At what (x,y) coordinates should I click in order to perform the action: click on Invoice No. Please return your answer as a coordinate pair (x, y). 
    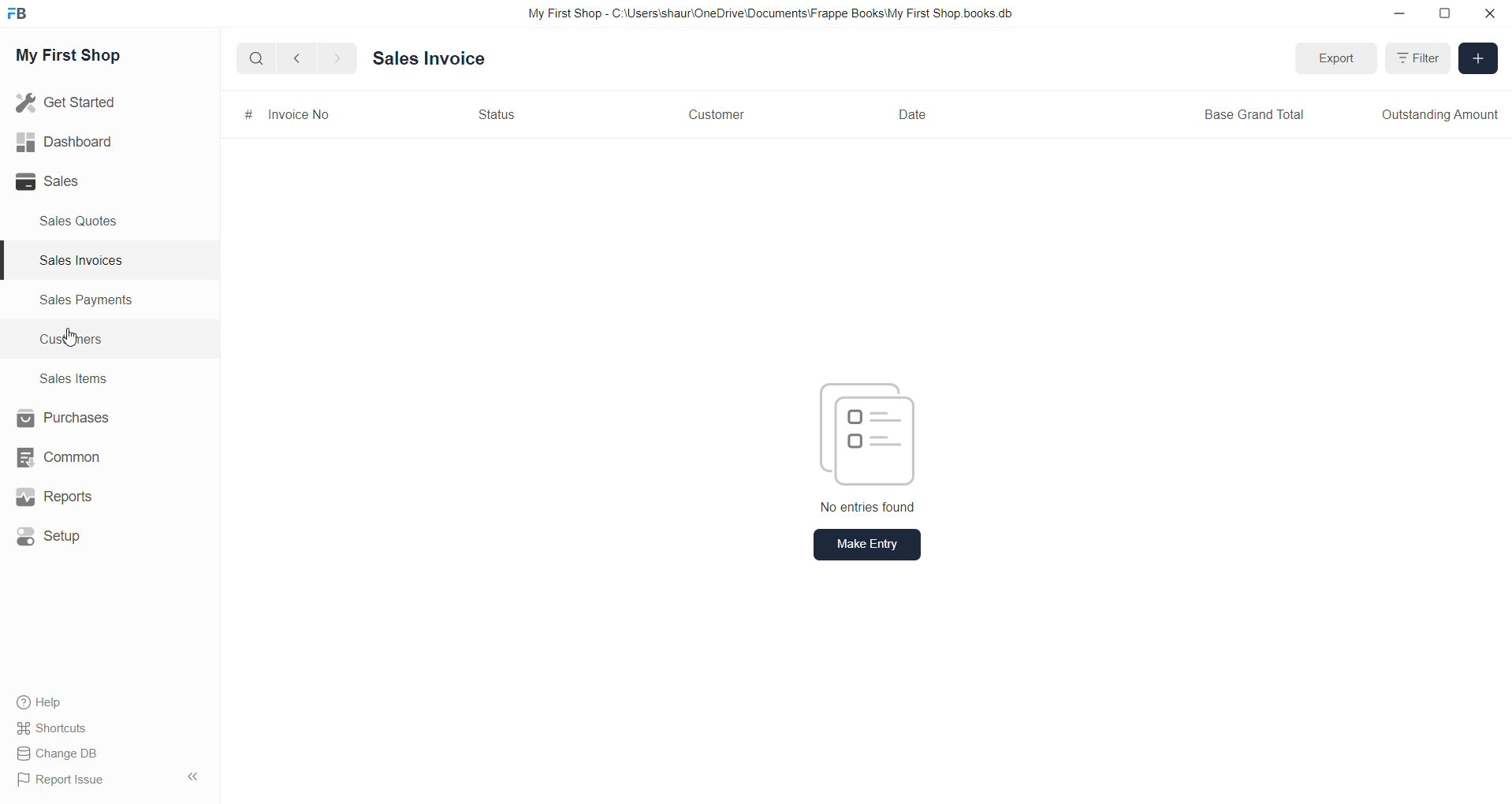
    Looking at the image, I should click on (303, 116).